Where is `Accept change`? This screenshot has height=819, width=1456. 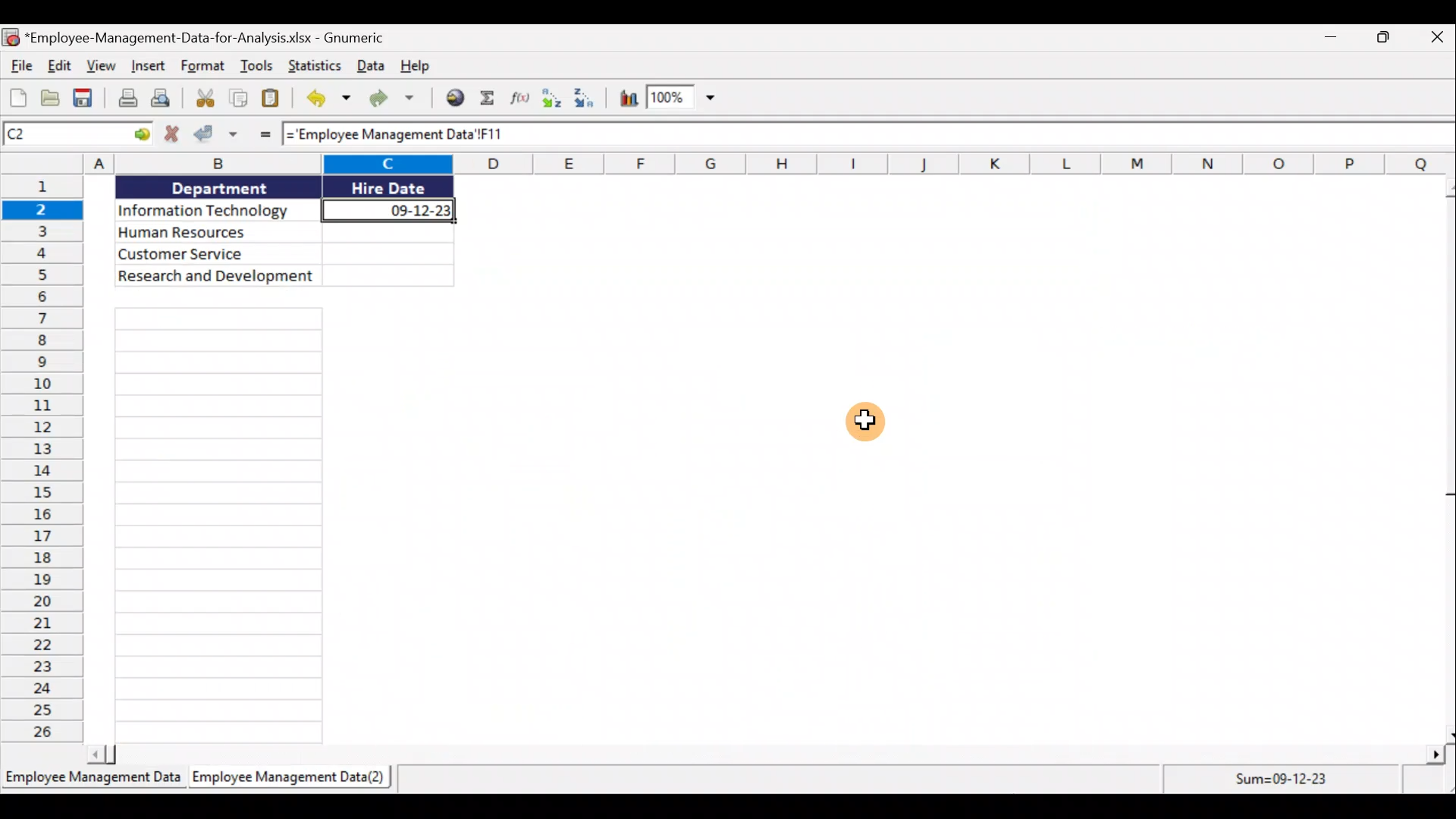 Accept change is located at coordinates (216, 137).